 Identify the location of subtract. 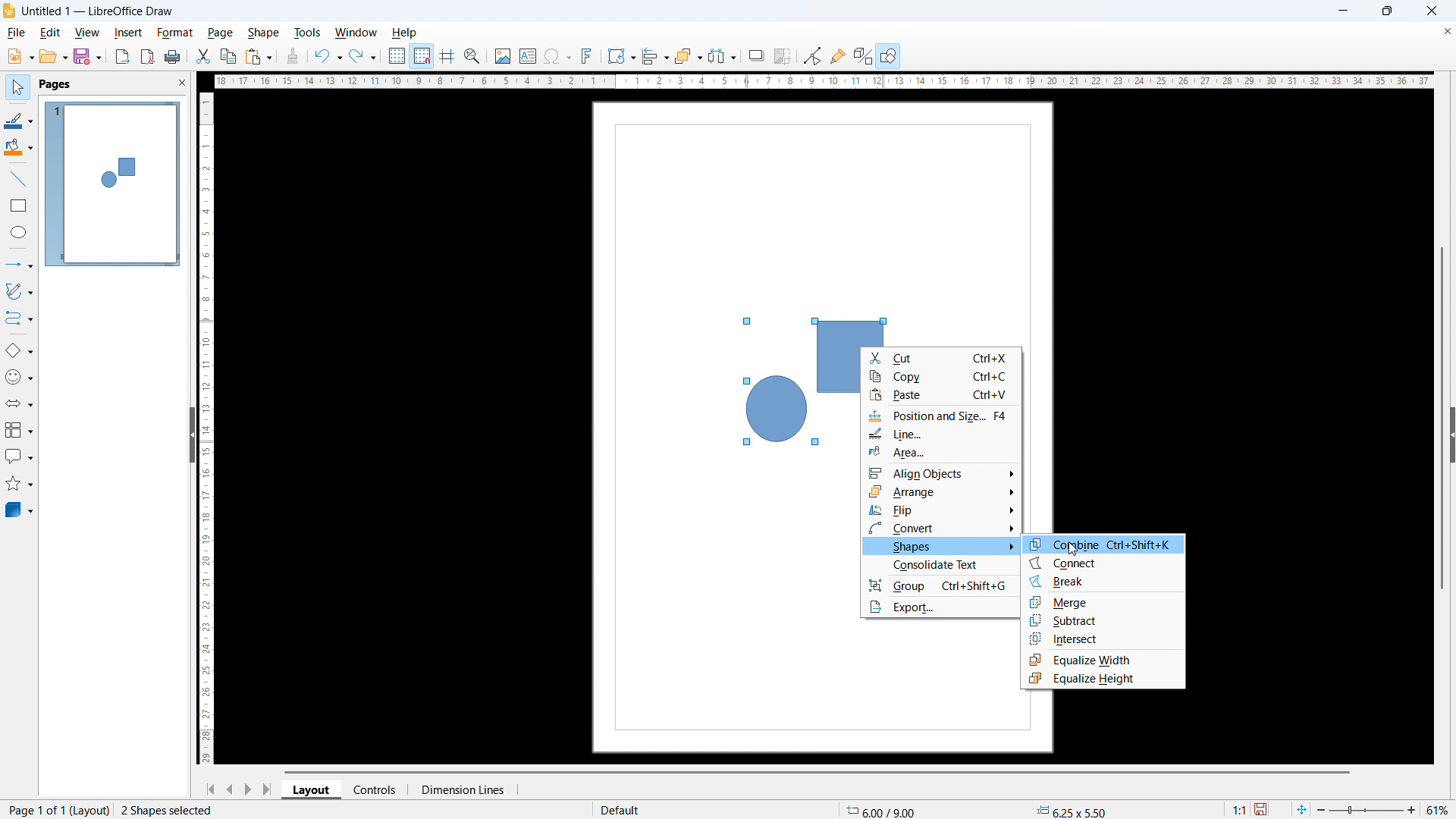
(1105, 621).